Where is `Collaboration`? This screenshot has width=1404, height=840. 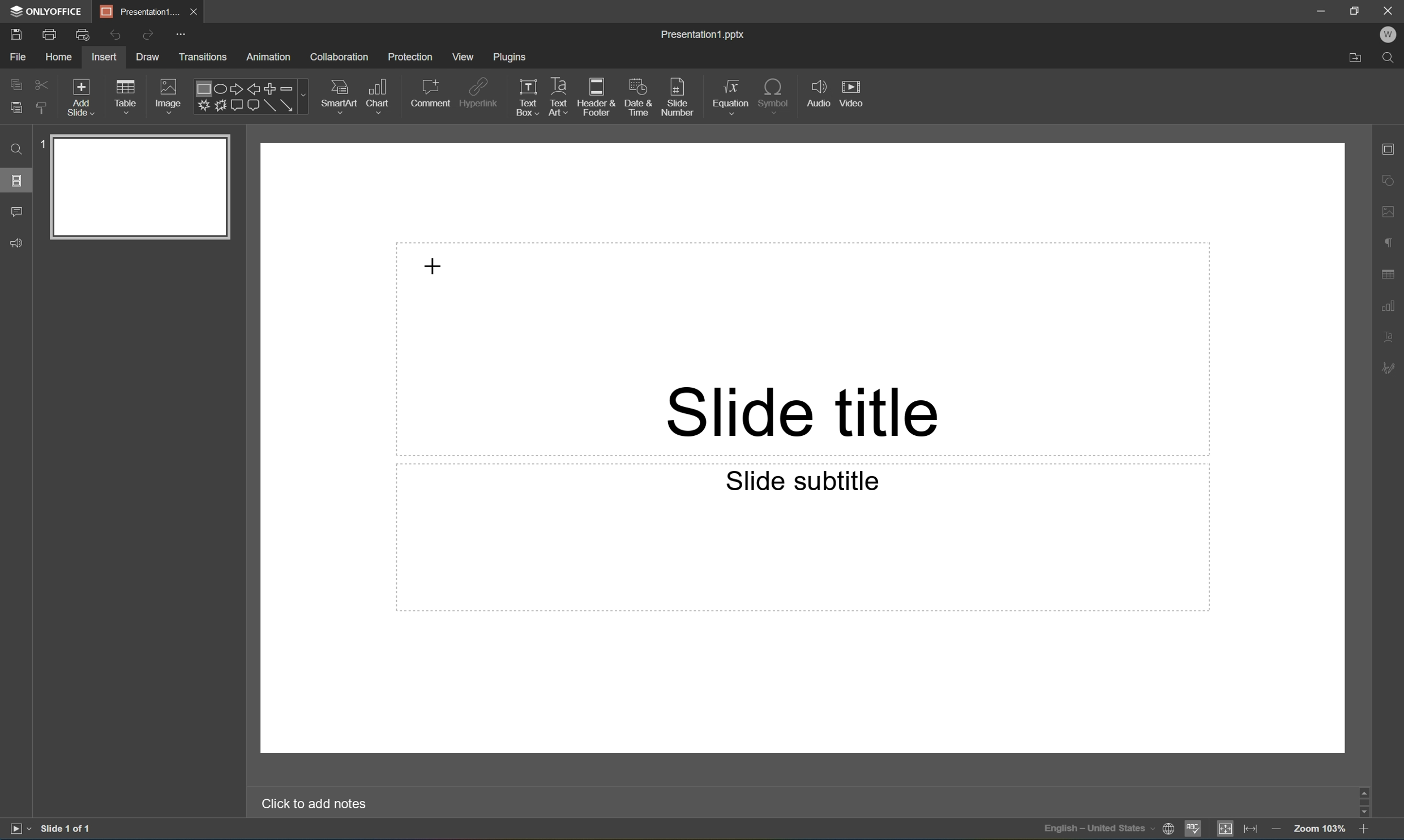 Collaboration is located at coordinates (341, 58).